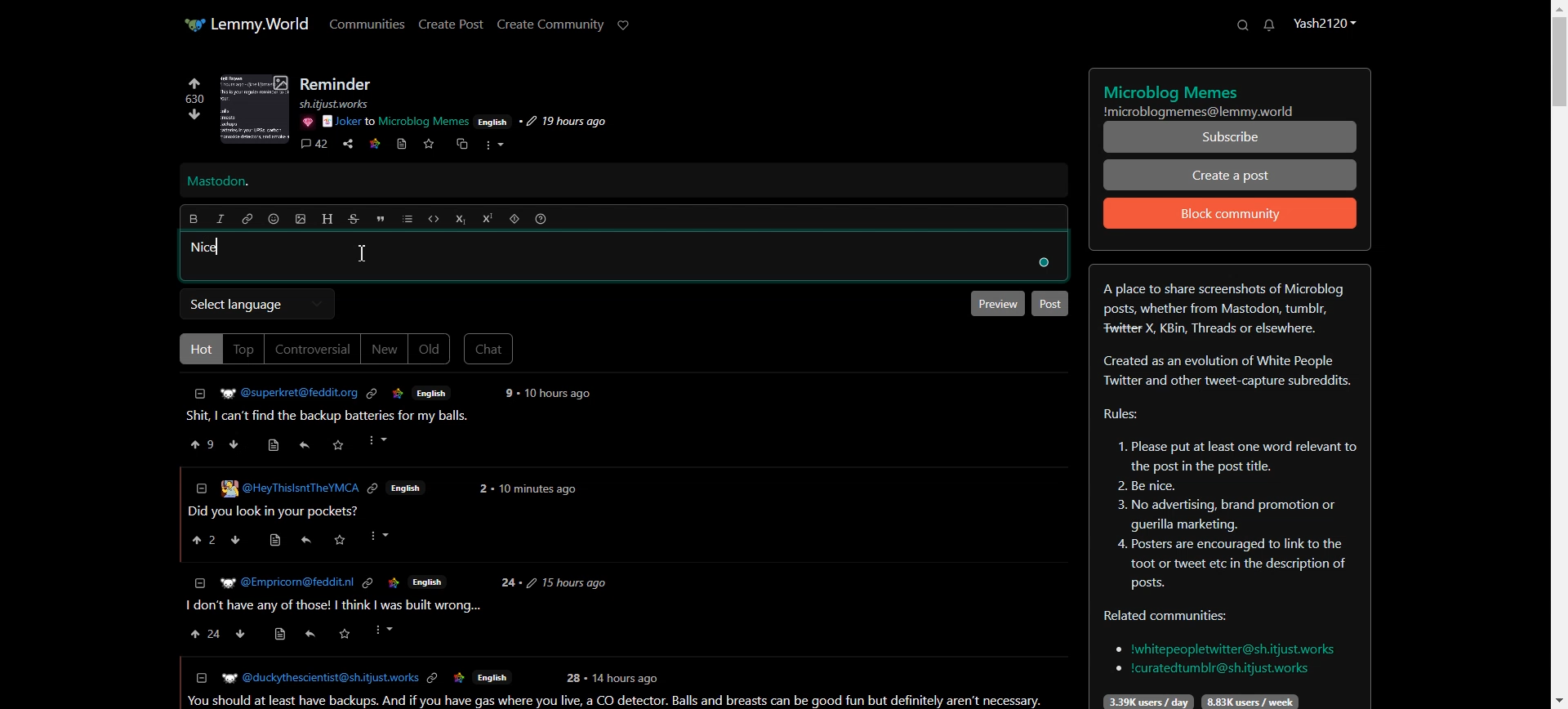 This screenshot has height=709, width=1568. Describe the element at coordinates (234, 444) in the screenshot. I see `Down Vote` at that location.